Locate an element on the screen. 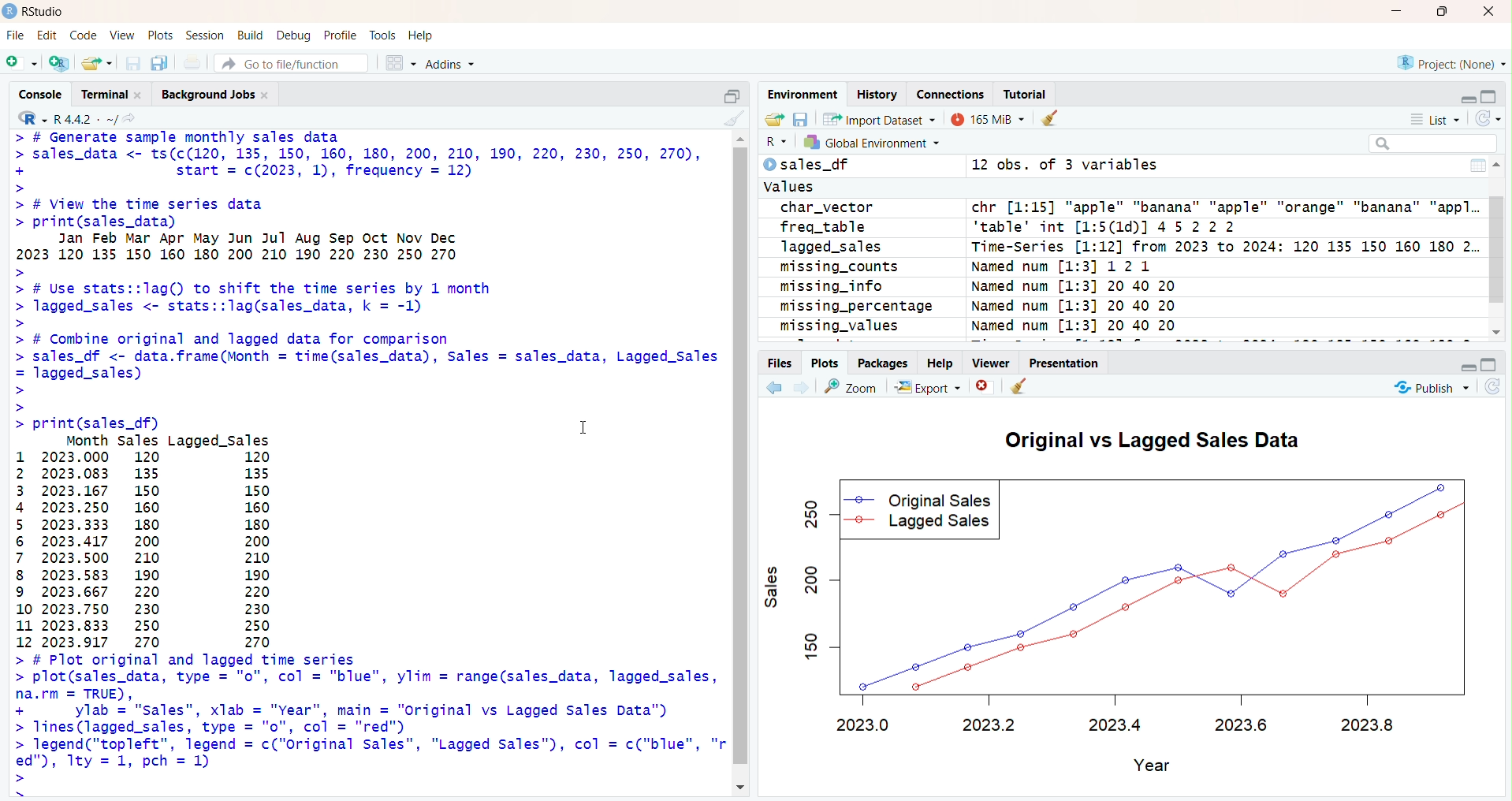 The height and width of the screenshot is (801, 1512). plots is located at coordinates (162, 35).